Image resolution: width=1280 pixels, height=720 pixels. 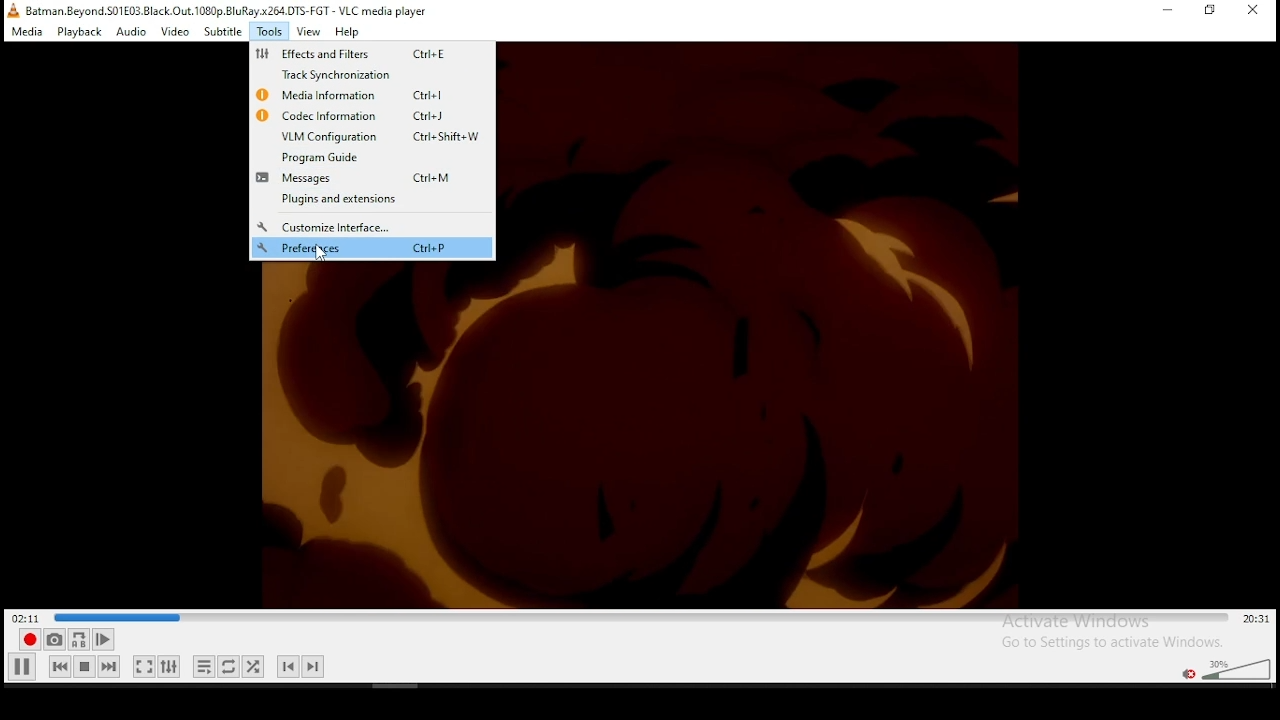 What do you see at coordinates (204, 666) in the screenshot?
I see `toggle playlist` at bounding box center [204, 666].